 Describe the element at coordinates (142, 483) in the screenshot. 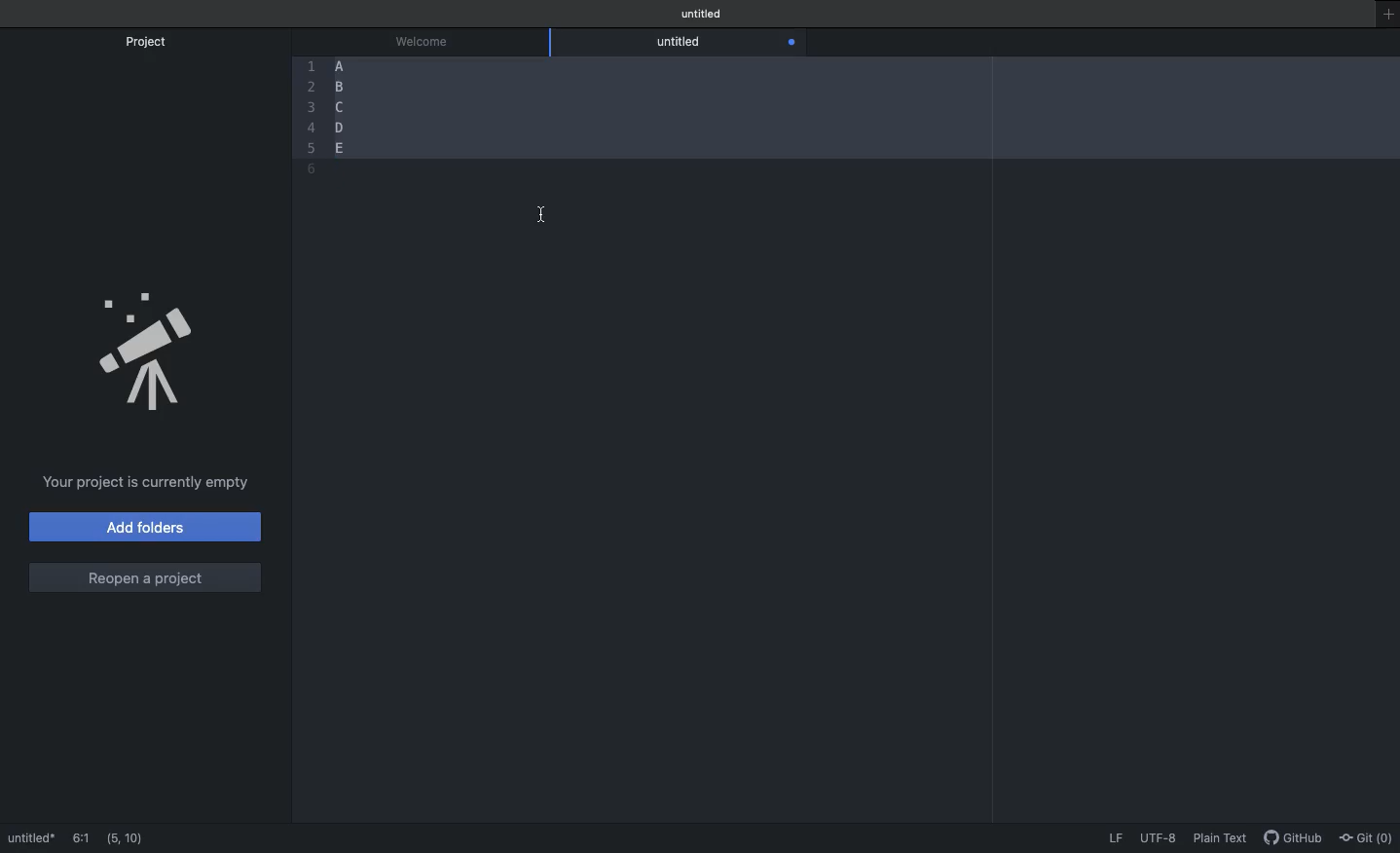

I see `Your project is currently empty` at that location.